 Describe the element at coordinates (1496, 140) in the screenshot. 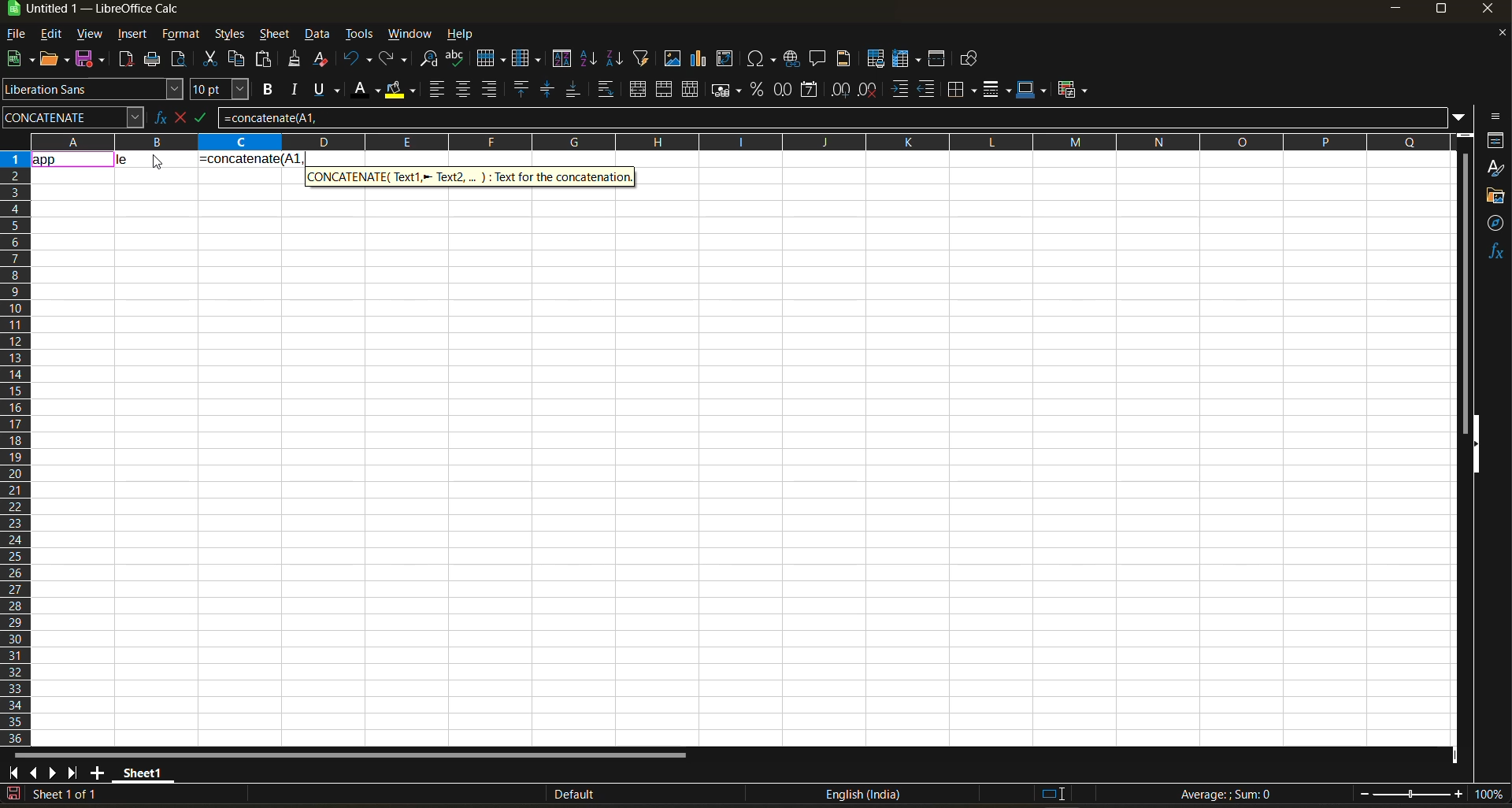

I see `properties` at that location.